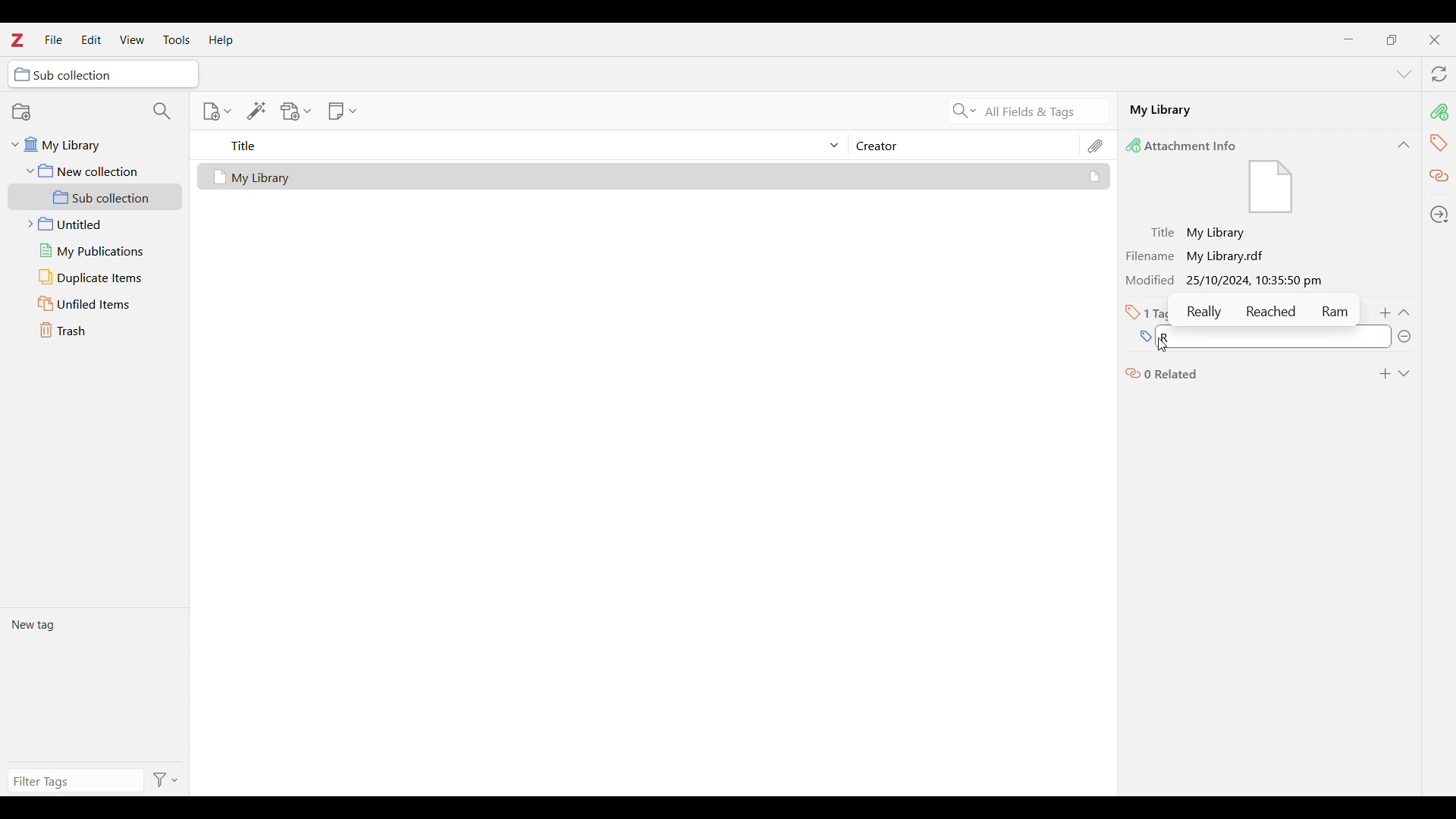 Image resolution: width=1456 pixels, height=819 pixels. I want to click on Edit menu, so click(91, 39).